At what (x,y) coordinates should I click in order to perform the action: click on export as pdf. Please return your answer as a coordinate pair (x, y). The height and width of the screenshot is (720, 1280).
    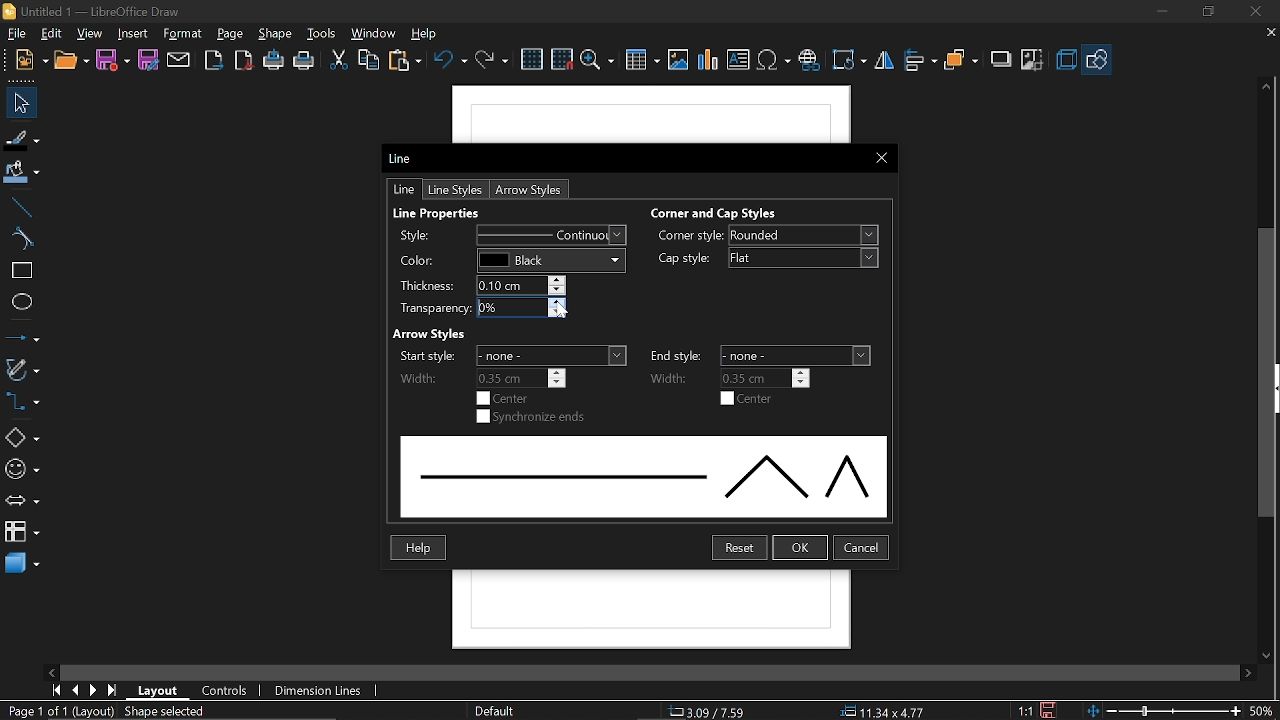
    Looking at the image, I should click on (242, 60).